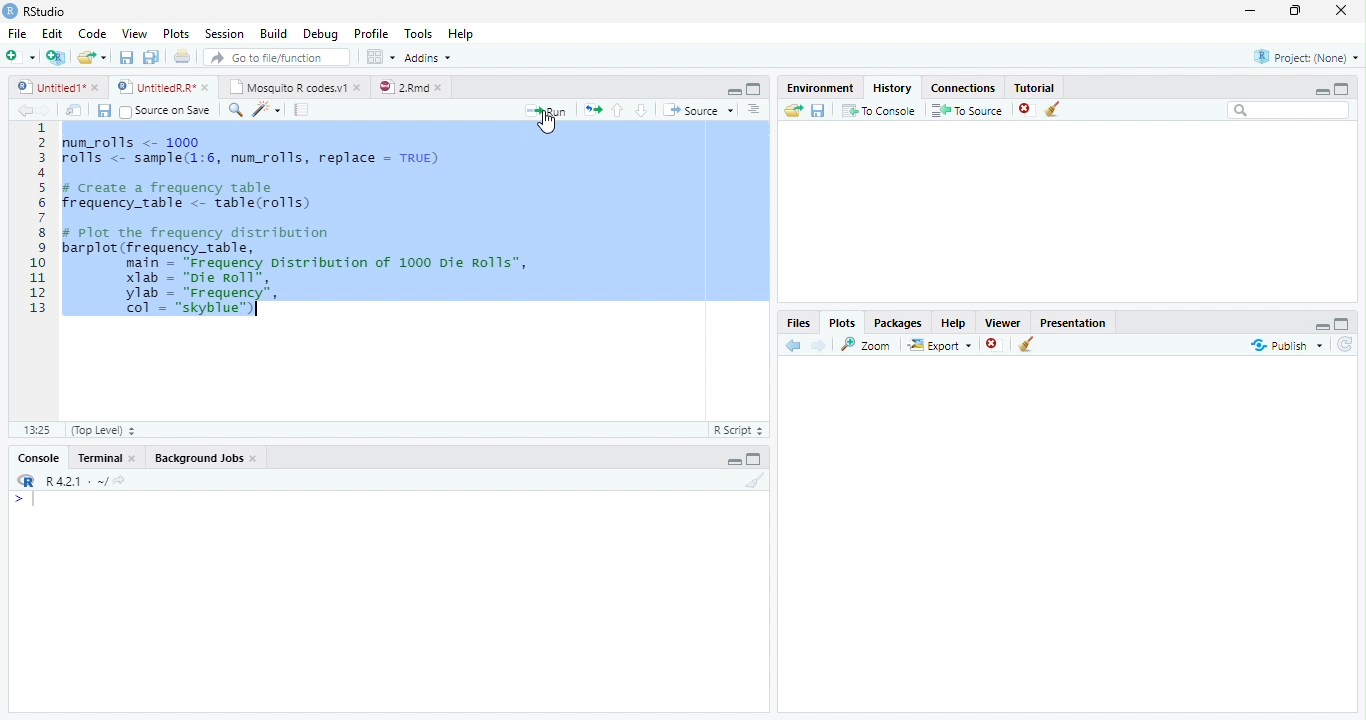  I want to click on Session, so click(225, 33).